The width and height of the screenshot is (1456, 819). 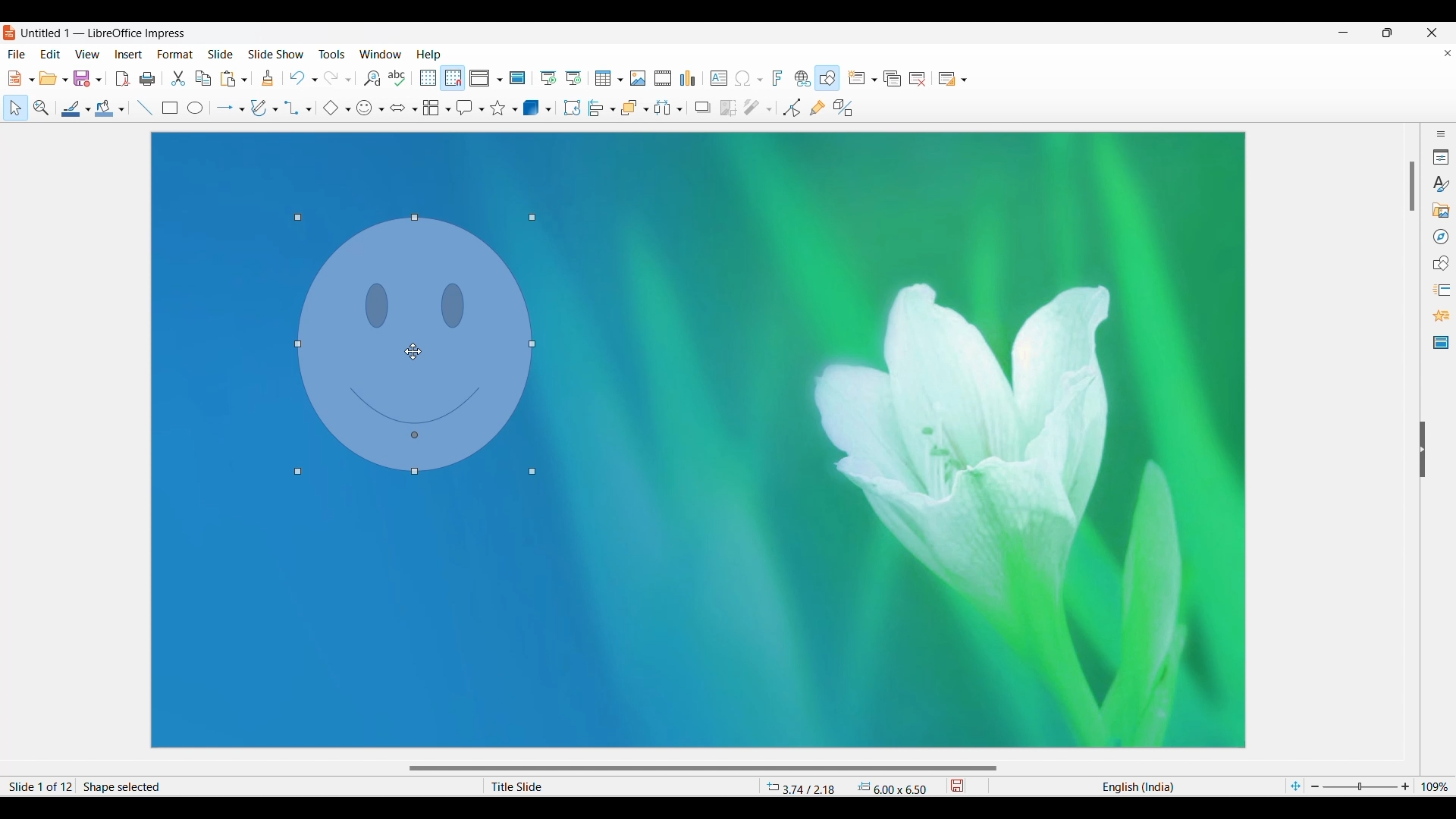 What do you see at coordinates (947, 79) in the screenshot?
I see `Slide layout` at bounding box center [947, 79].